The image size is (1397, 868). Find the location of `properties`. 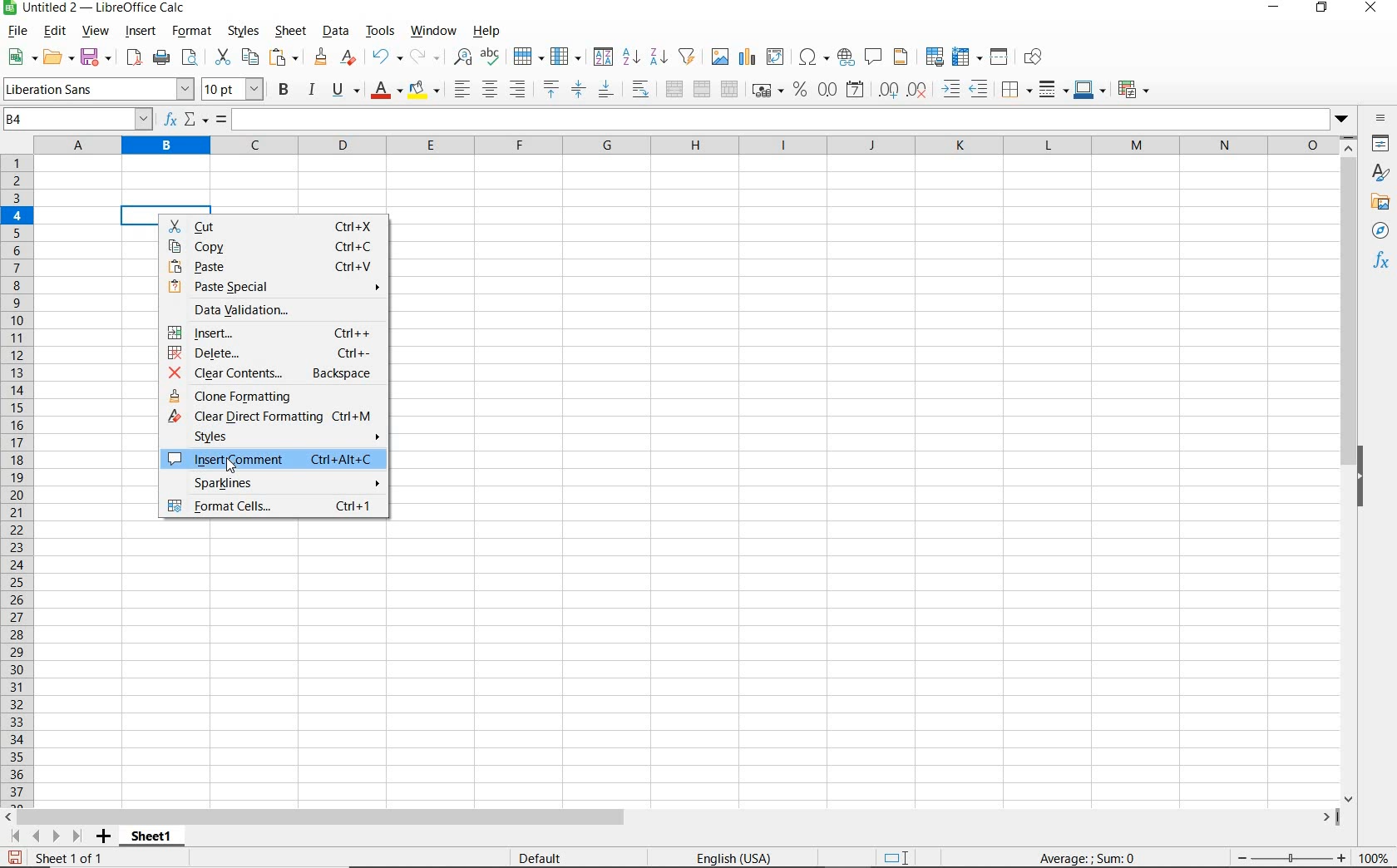

properties is located at coordinates (1380, 142).